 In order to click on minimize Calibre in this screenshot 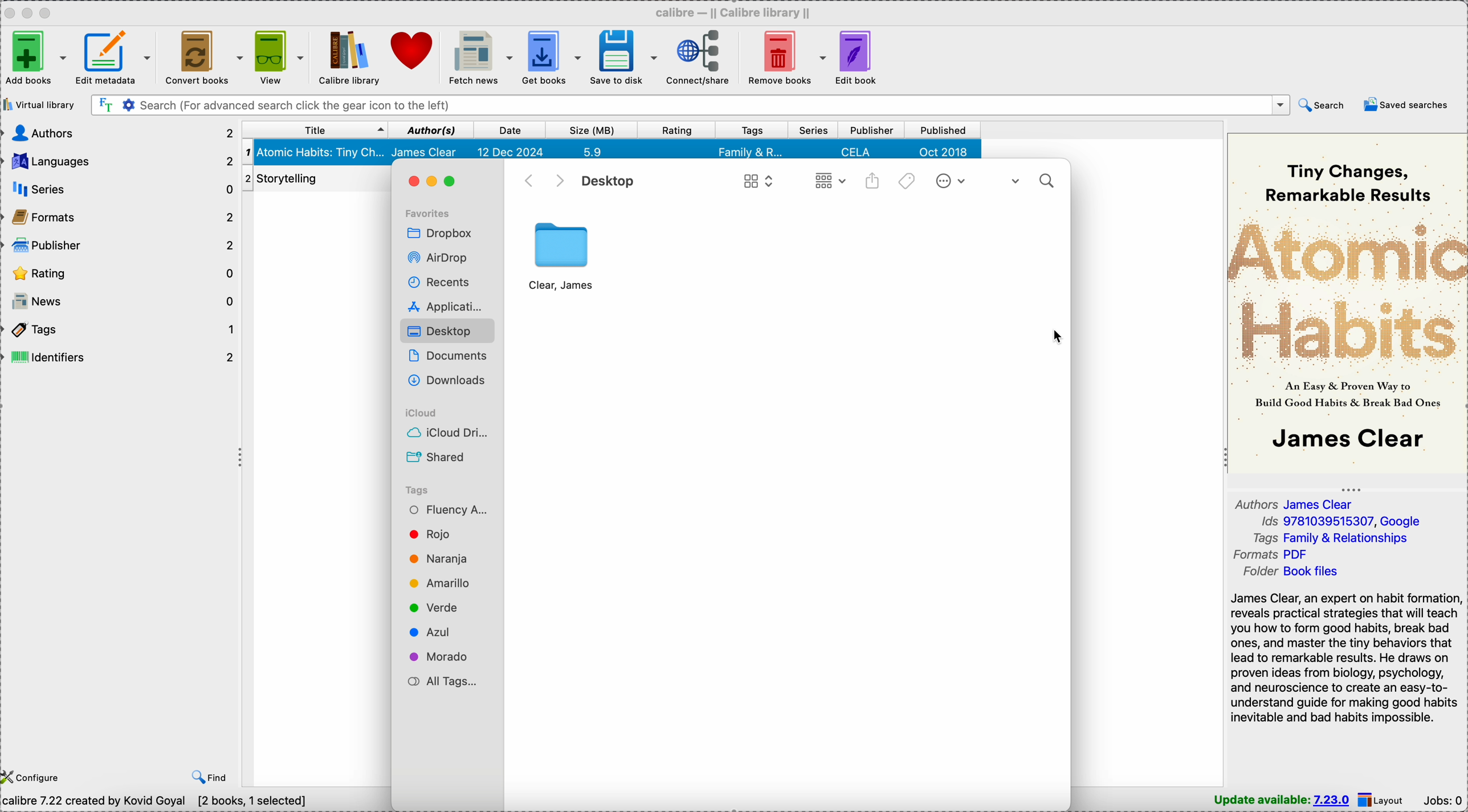, I will do `click(30, 13)`.